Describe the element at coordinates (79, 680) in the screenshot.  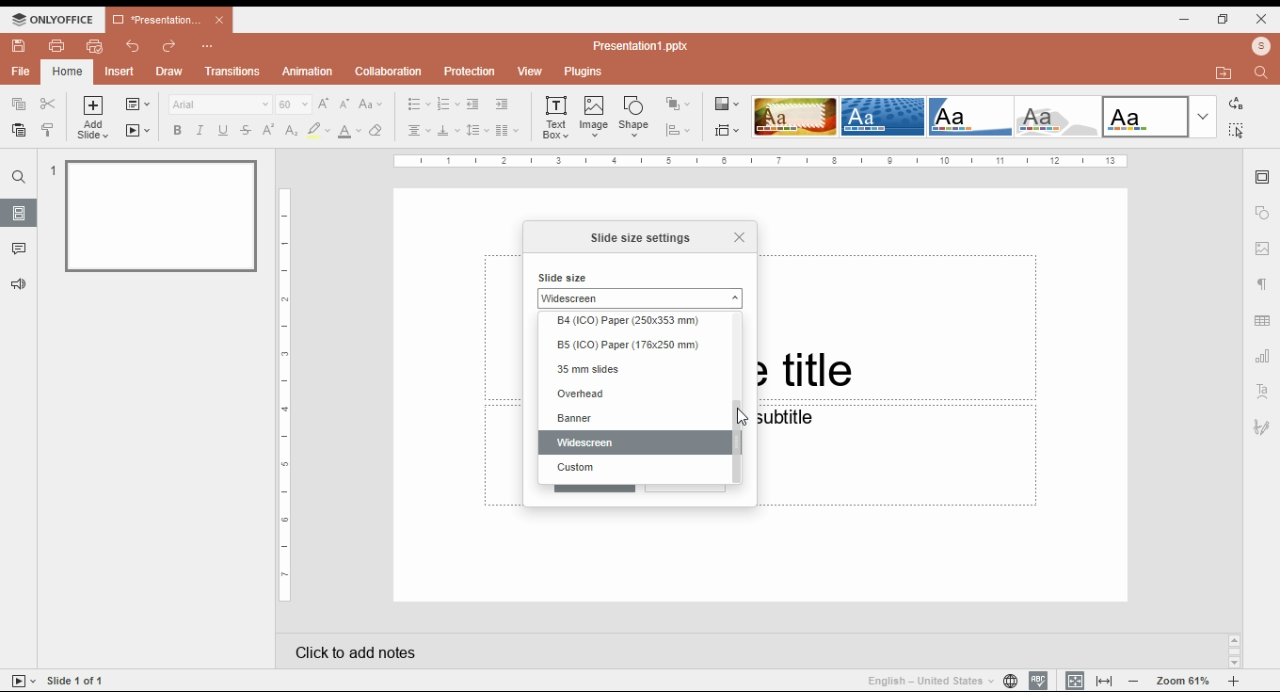
I see `Slide 1 of 1` at that location.